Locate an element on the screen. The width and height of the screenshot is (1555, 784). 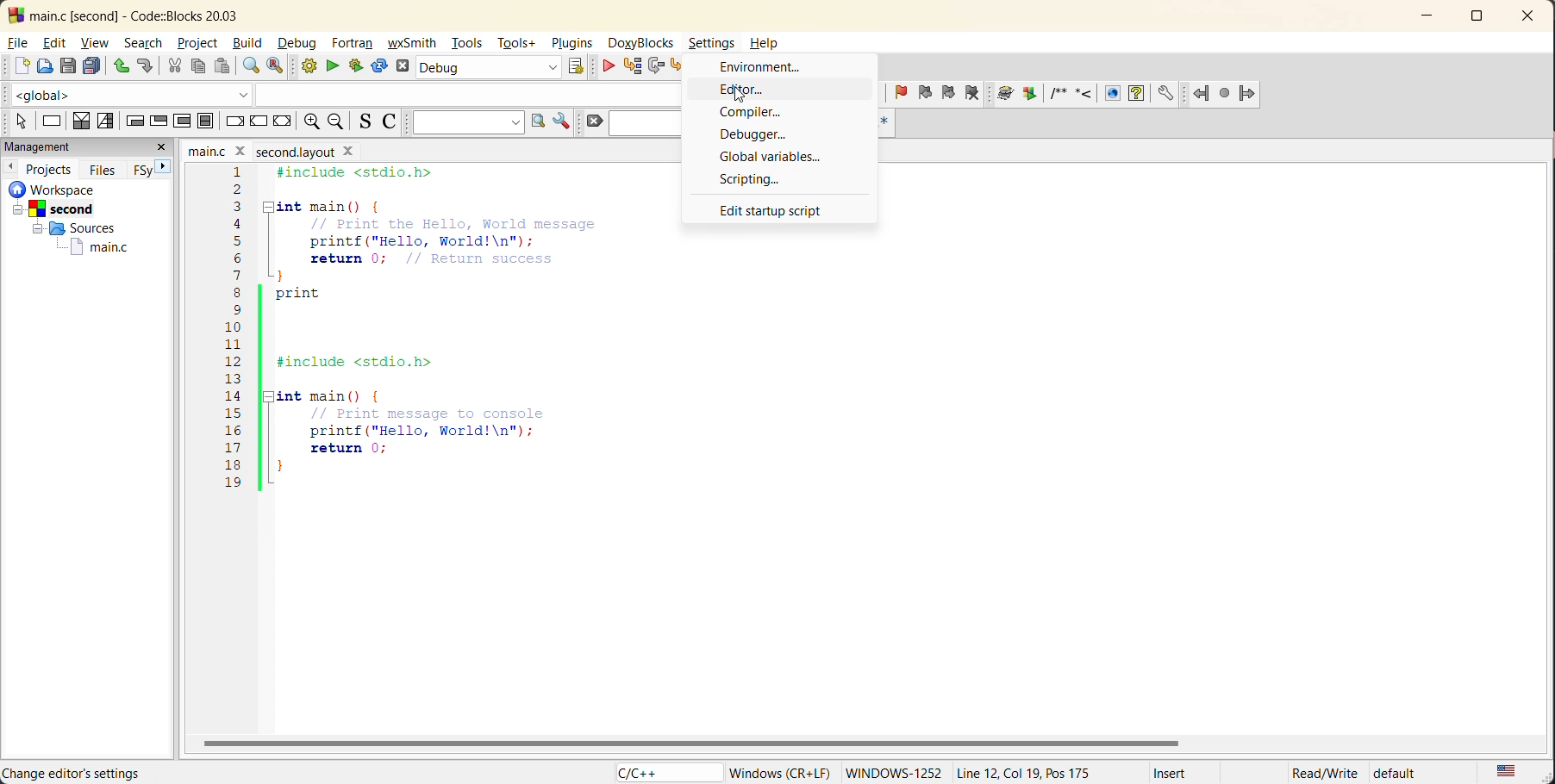
build is located at coordinates (307, 68).